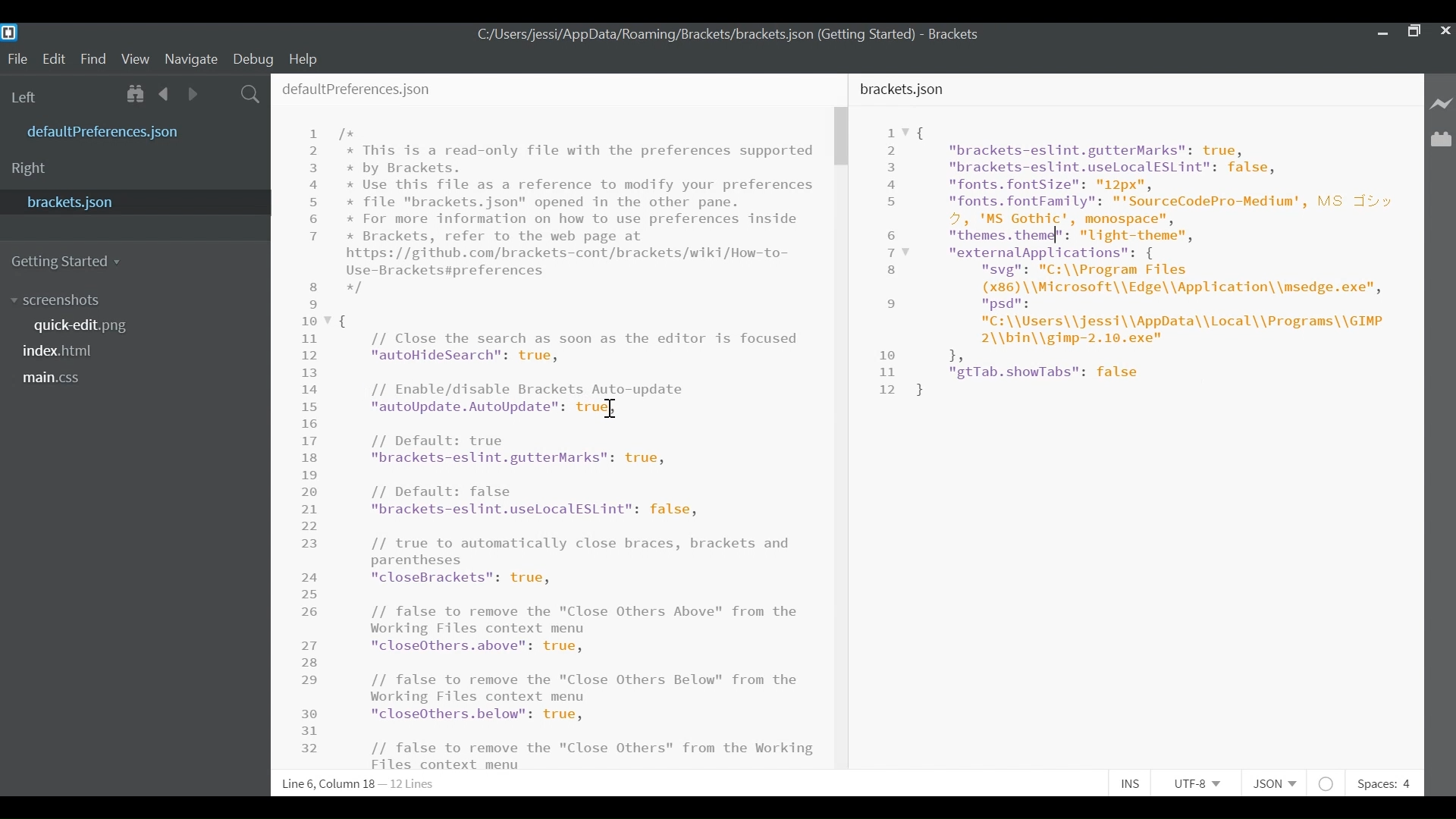  What do you see at coordinates (840, 137) in the screenshot?
I see `Vertical Scroll bar` at bounding box center [840, 137].